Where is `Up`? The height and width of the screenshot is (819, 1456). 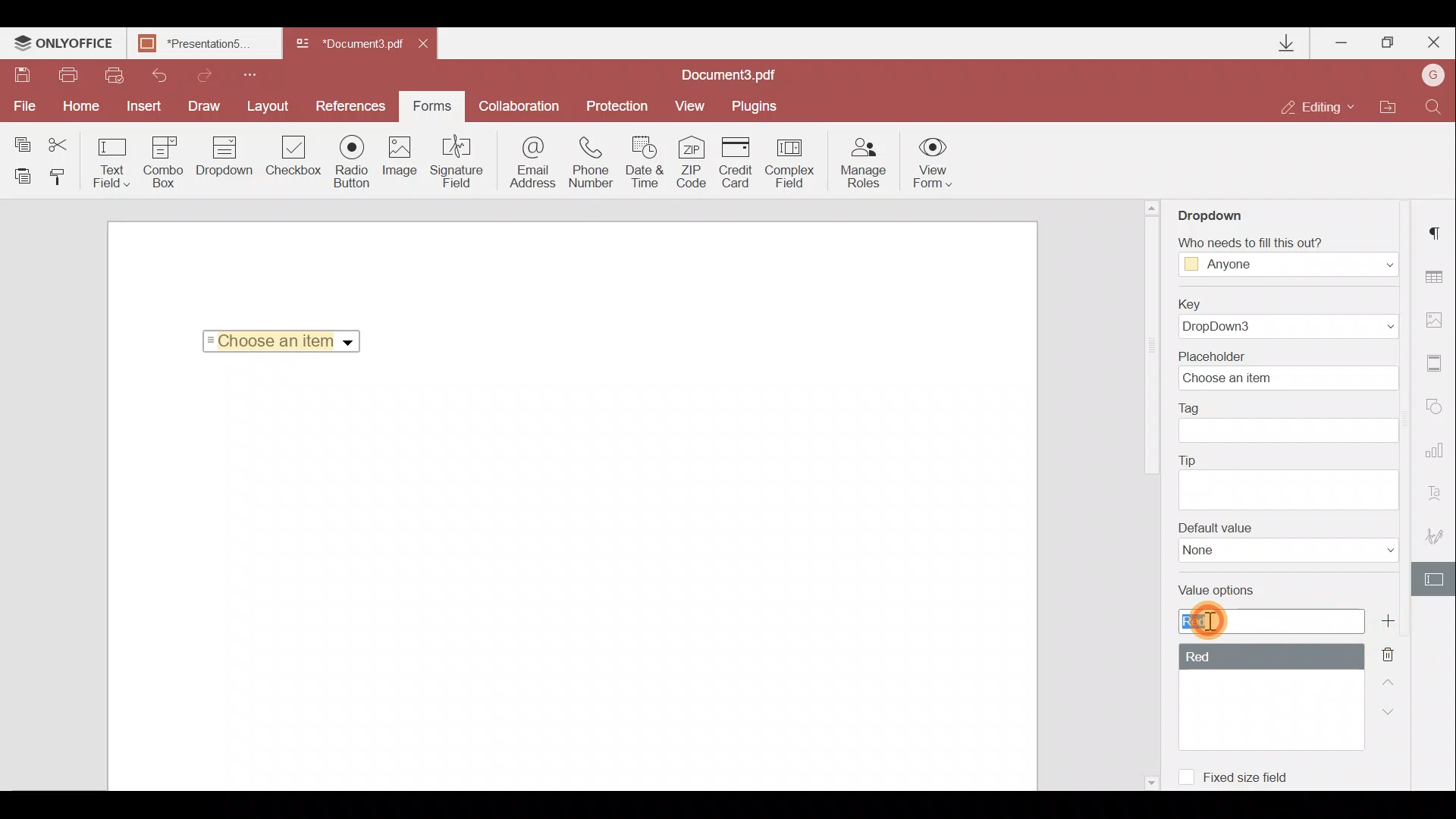 Up is located at coordinates (1391, 679).